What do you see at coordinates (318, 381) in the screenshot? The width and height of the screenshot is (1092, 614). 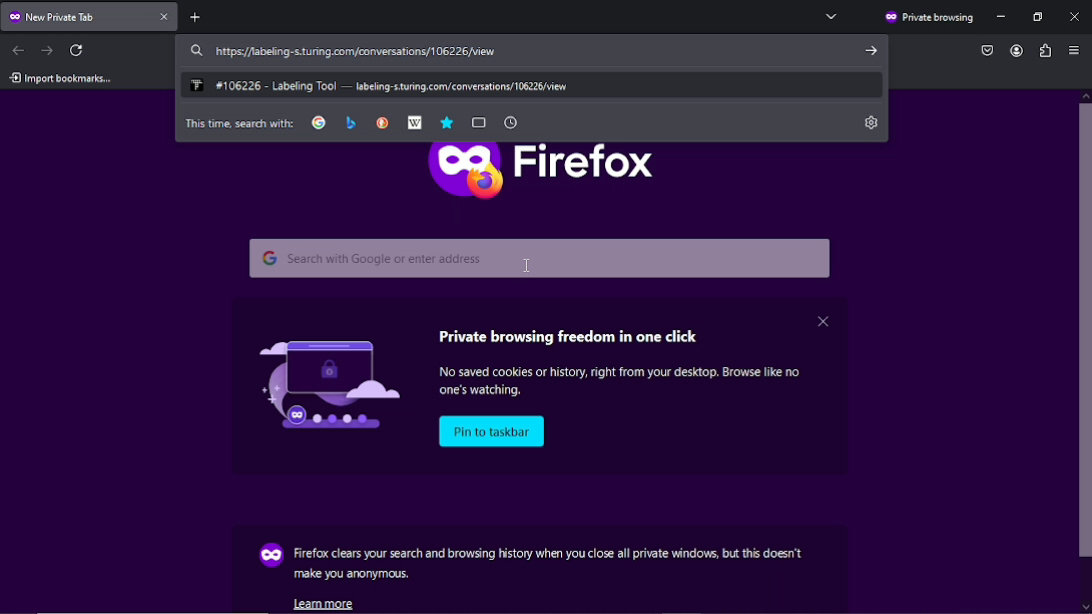 I see `logo` at bounding box center [318, 381].